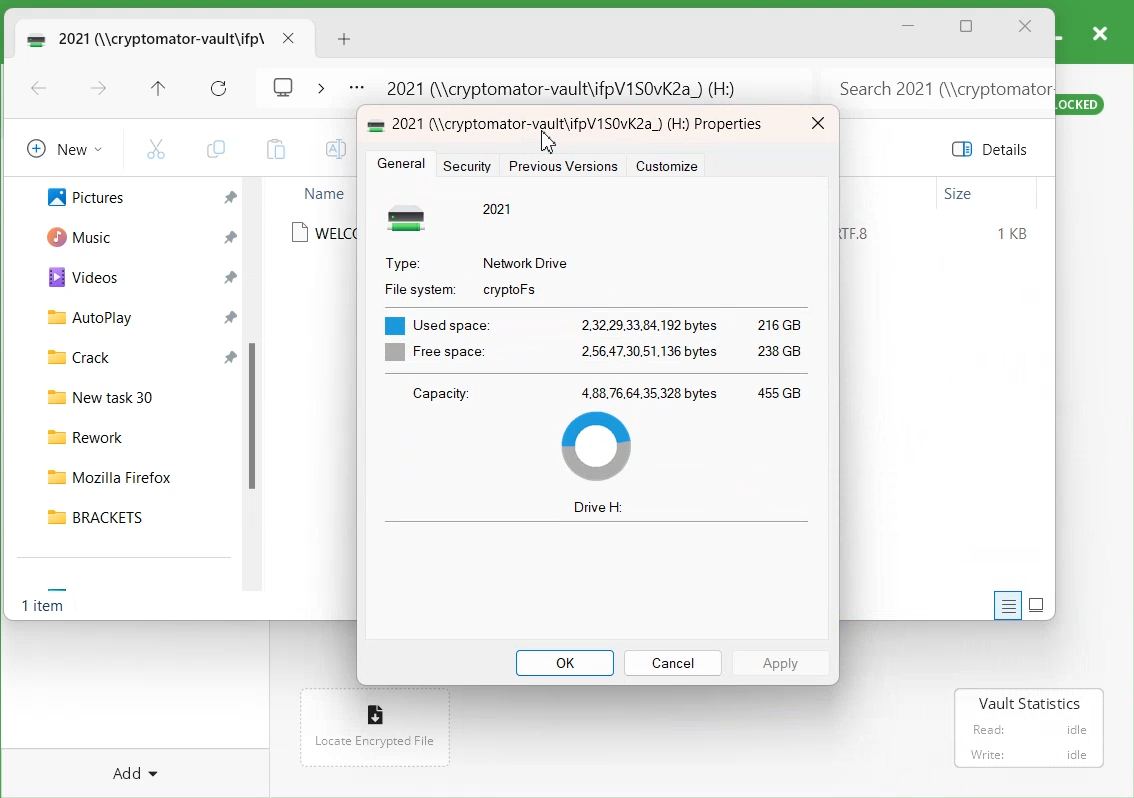 This screenshot has height=798, width=1134. What do you see at coordinates (373, 742) in the screenshot?
I see `Locate Encrypted File` at bounding box center [373, 742].